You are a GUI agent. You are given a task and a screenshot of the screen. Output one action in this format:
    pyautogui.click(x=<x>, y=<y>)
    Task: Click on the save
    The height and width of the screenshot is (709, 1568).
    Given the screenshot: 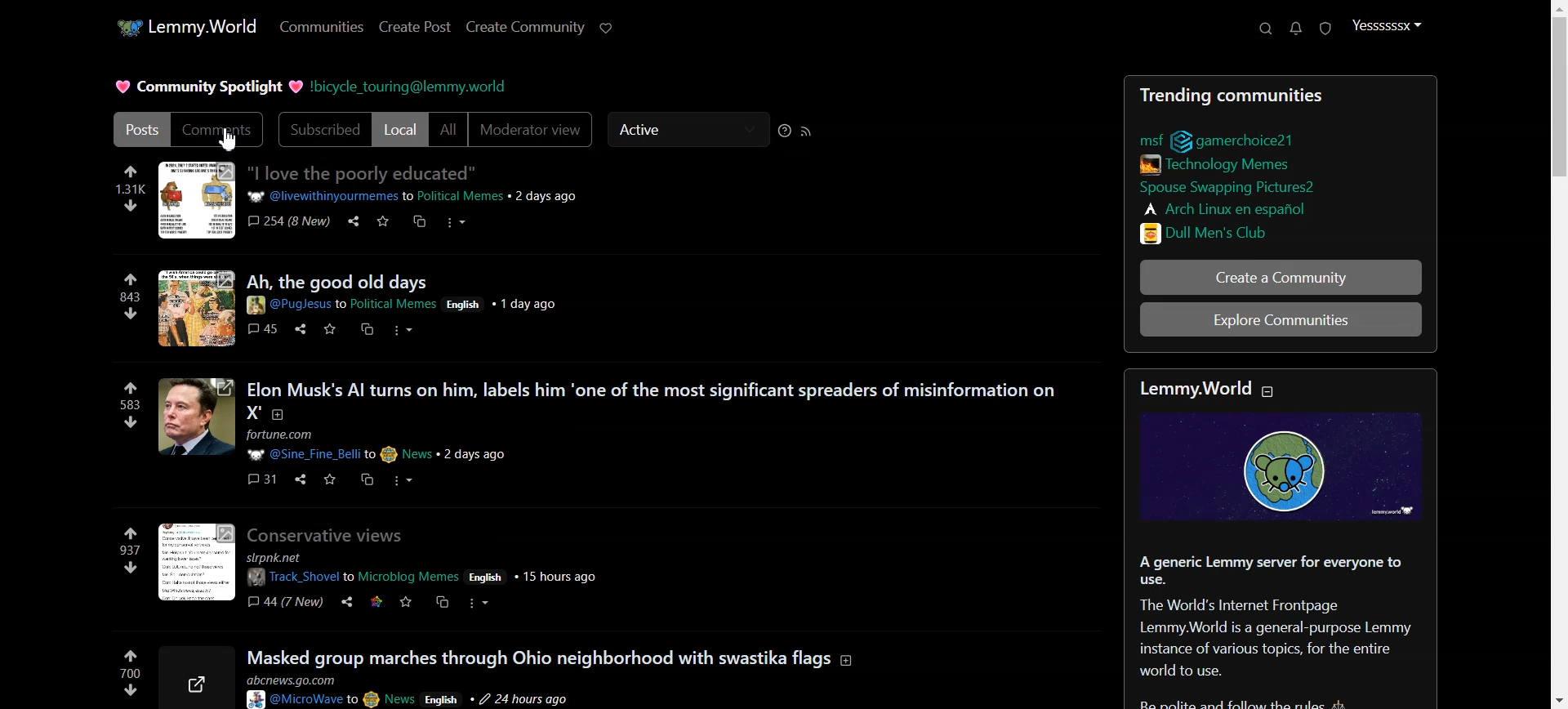 What is the action you would take?
    pyautogui.click(x=403, y=602)
    